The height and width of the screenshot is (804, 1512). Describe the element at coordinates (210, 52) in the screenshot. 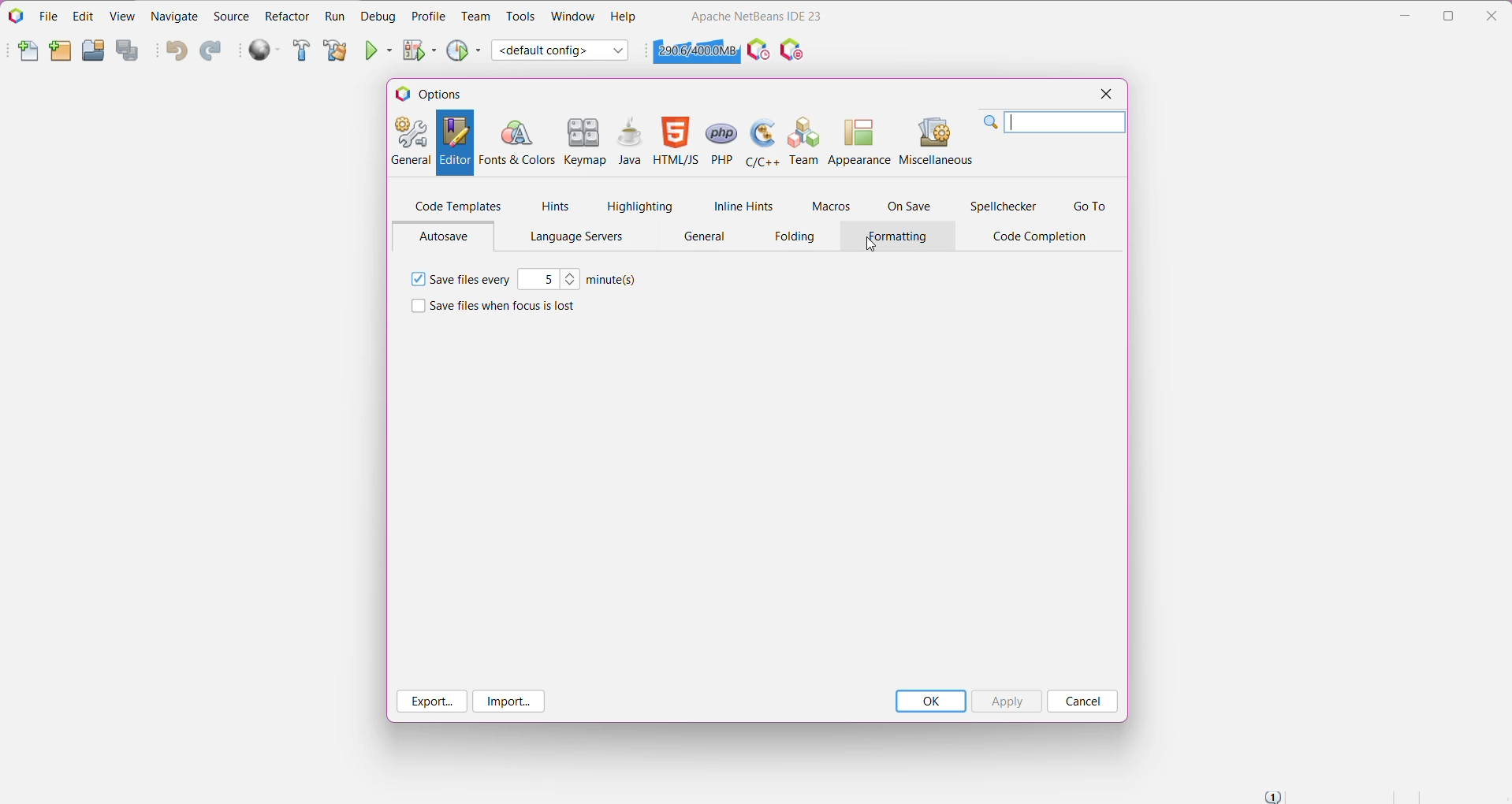

I see `Redo` at that location.